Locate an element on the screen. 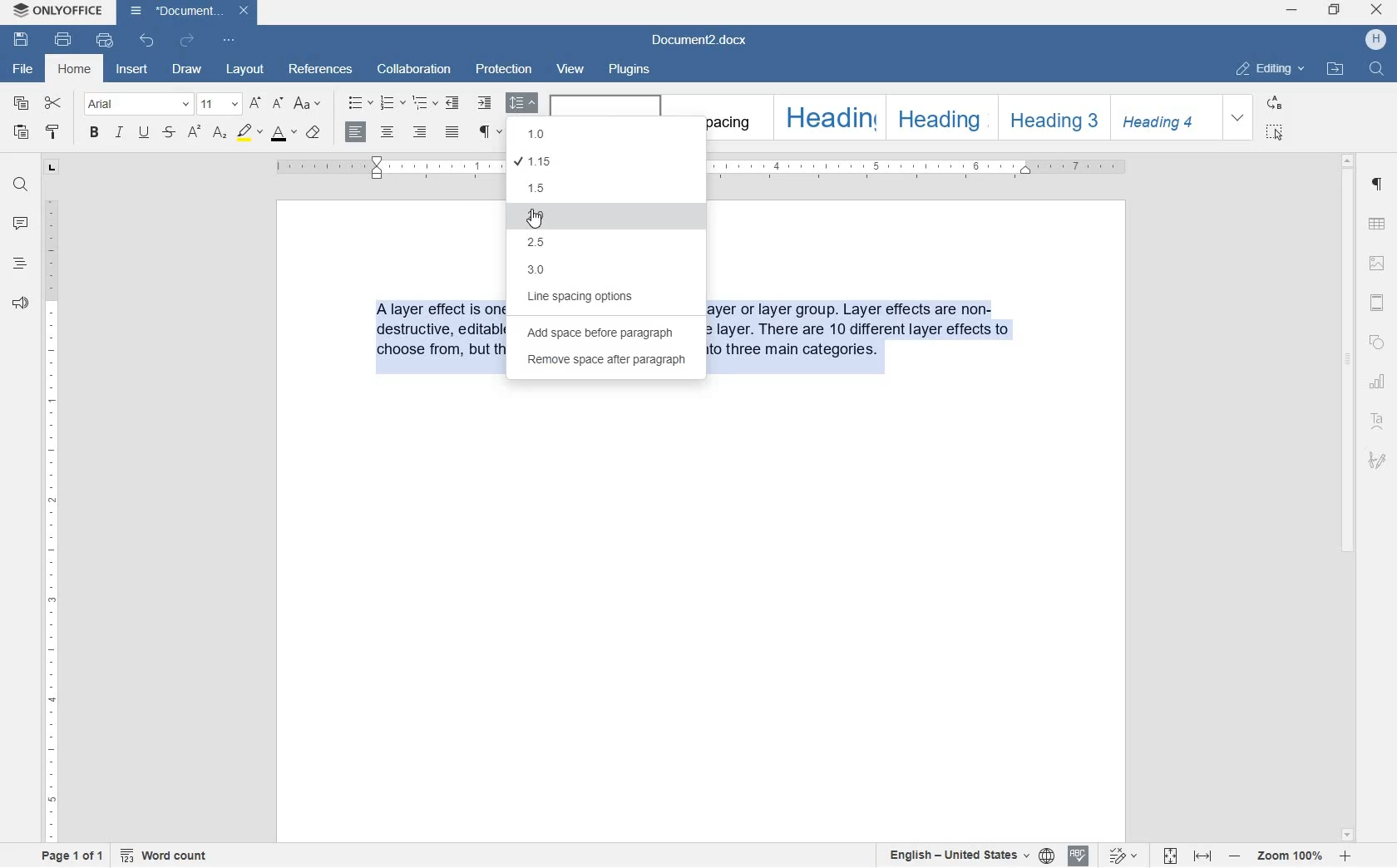 This screenshot has width=1397, height=868. change case is located at coordinates (309, 104).